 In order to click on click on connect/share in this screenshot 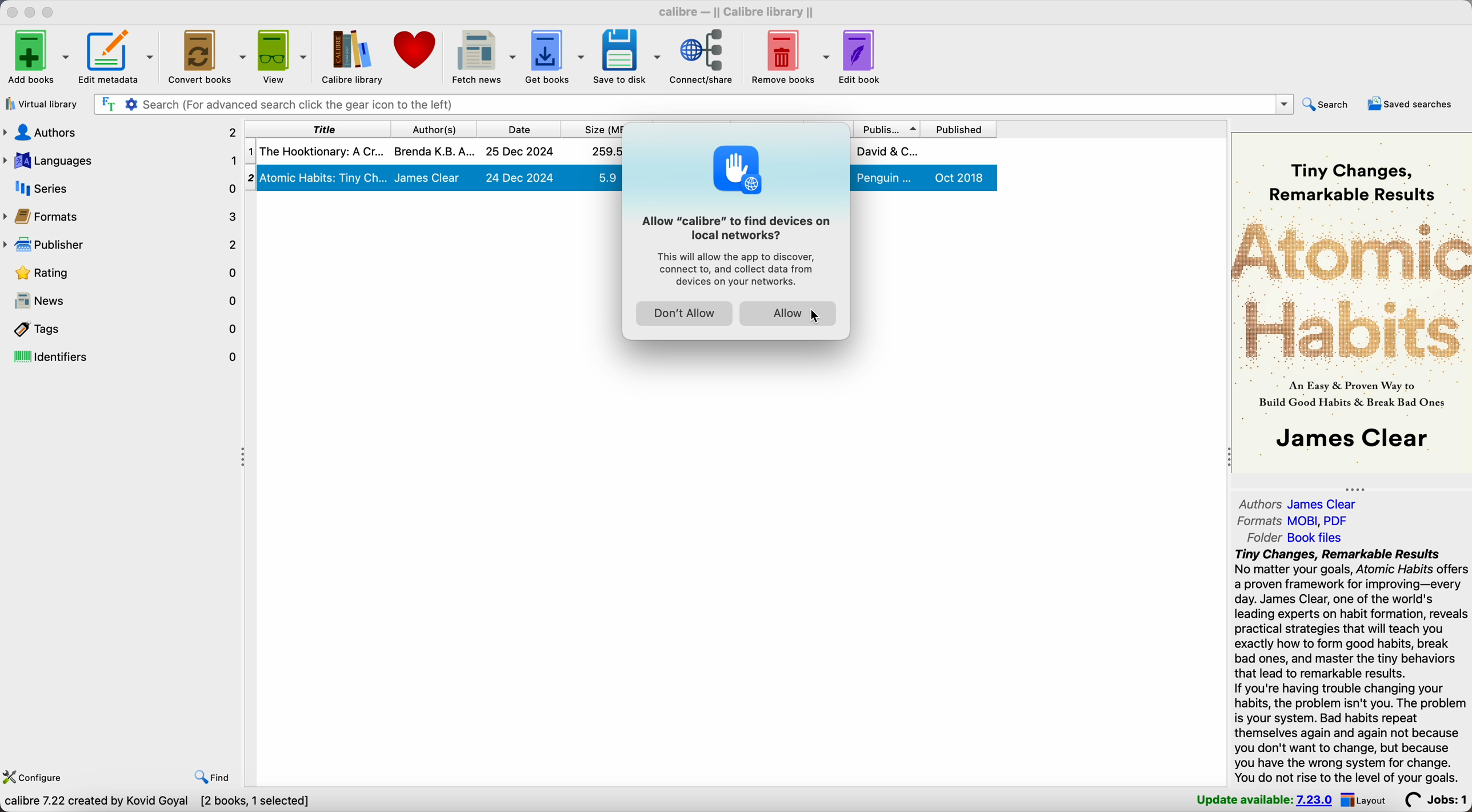, I will do `click(702, 58)`.